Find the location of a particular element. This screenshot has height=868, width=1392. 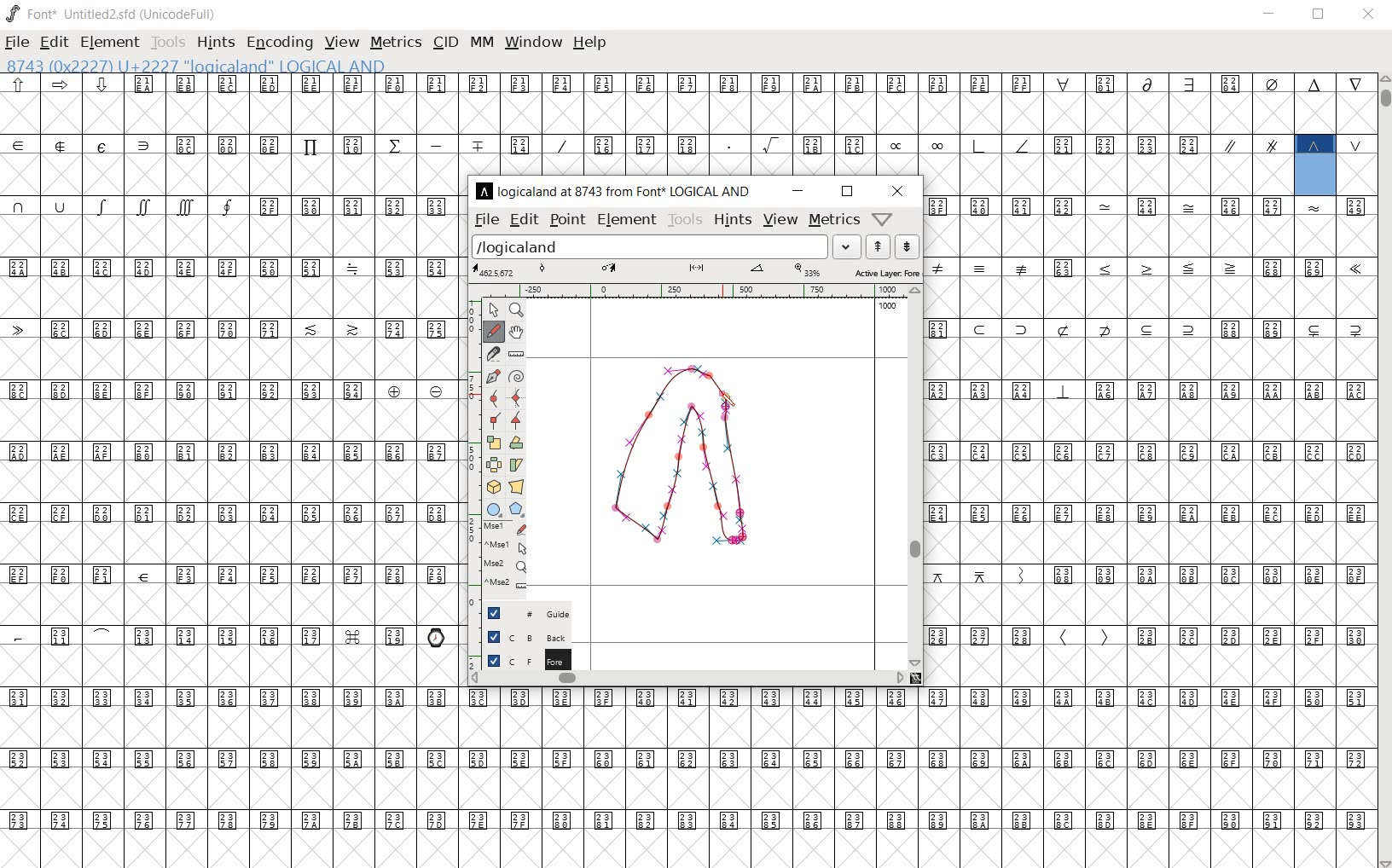

8743 (0x22227) U+2227 "logicaland" LOGICAL AND is located at coordinates (198, 67).